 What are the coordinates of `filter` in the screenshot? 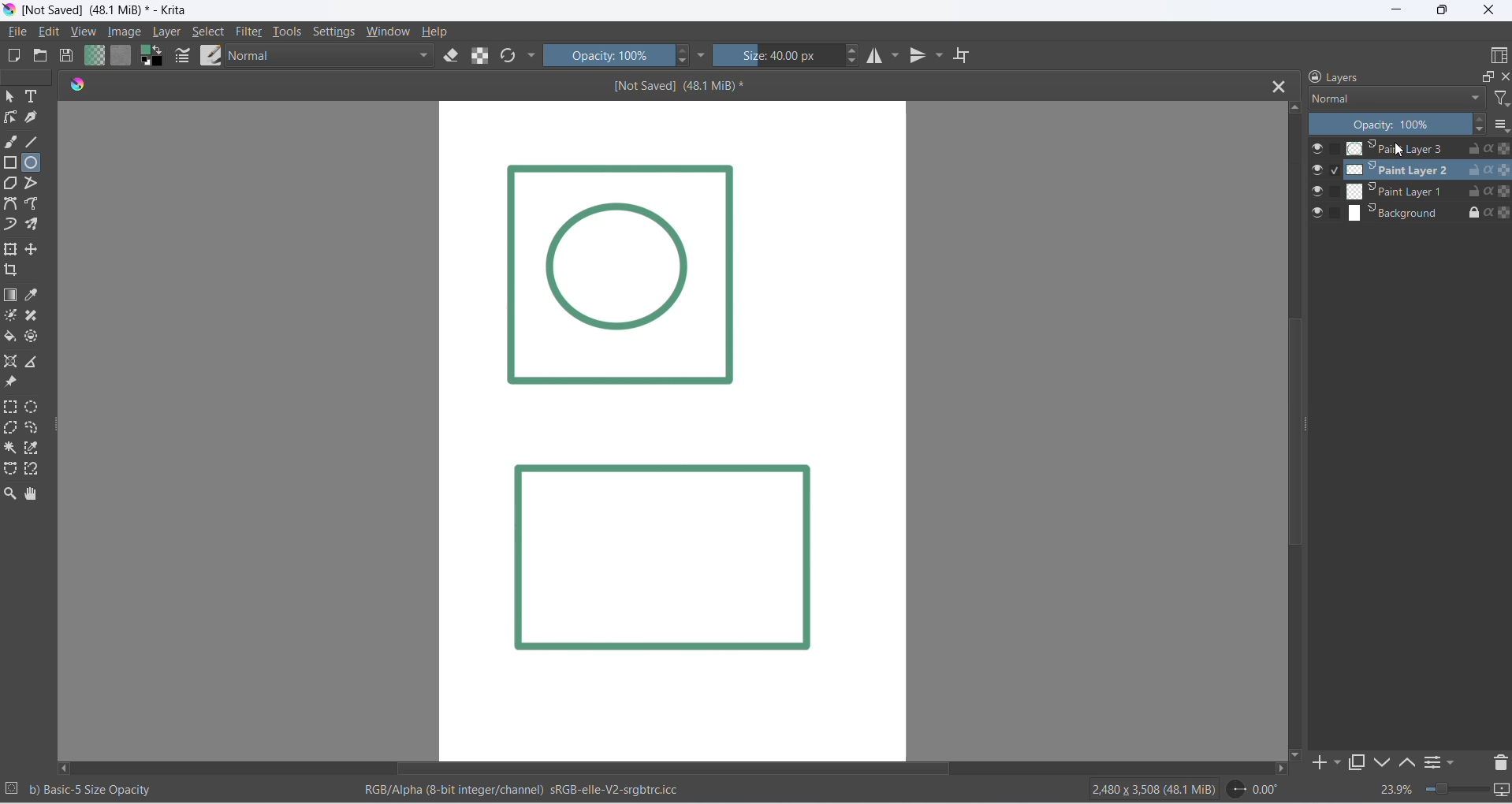 It's located at (1503, 99).